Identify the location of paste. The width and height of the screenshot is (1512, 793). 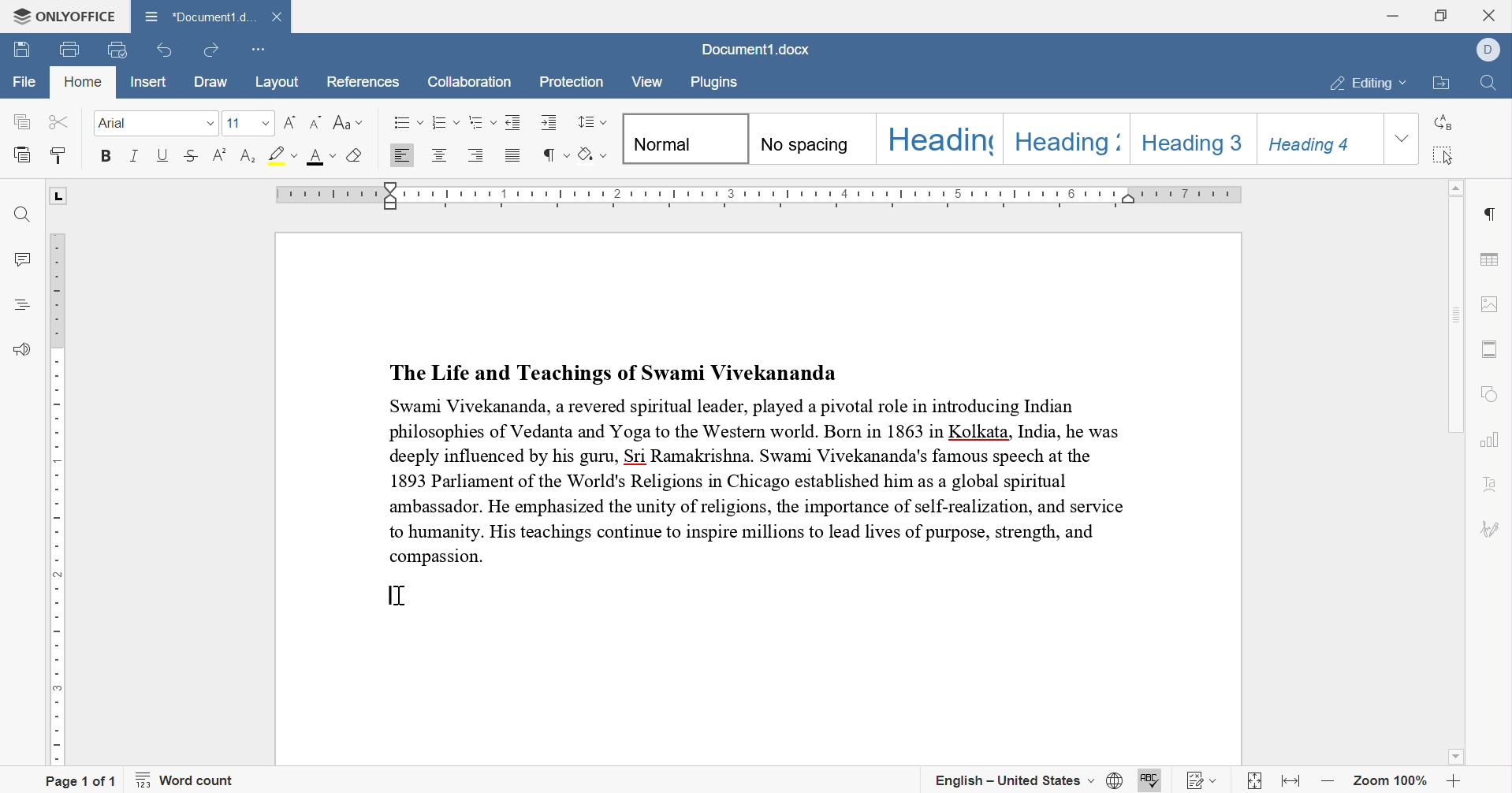
(23, 154).